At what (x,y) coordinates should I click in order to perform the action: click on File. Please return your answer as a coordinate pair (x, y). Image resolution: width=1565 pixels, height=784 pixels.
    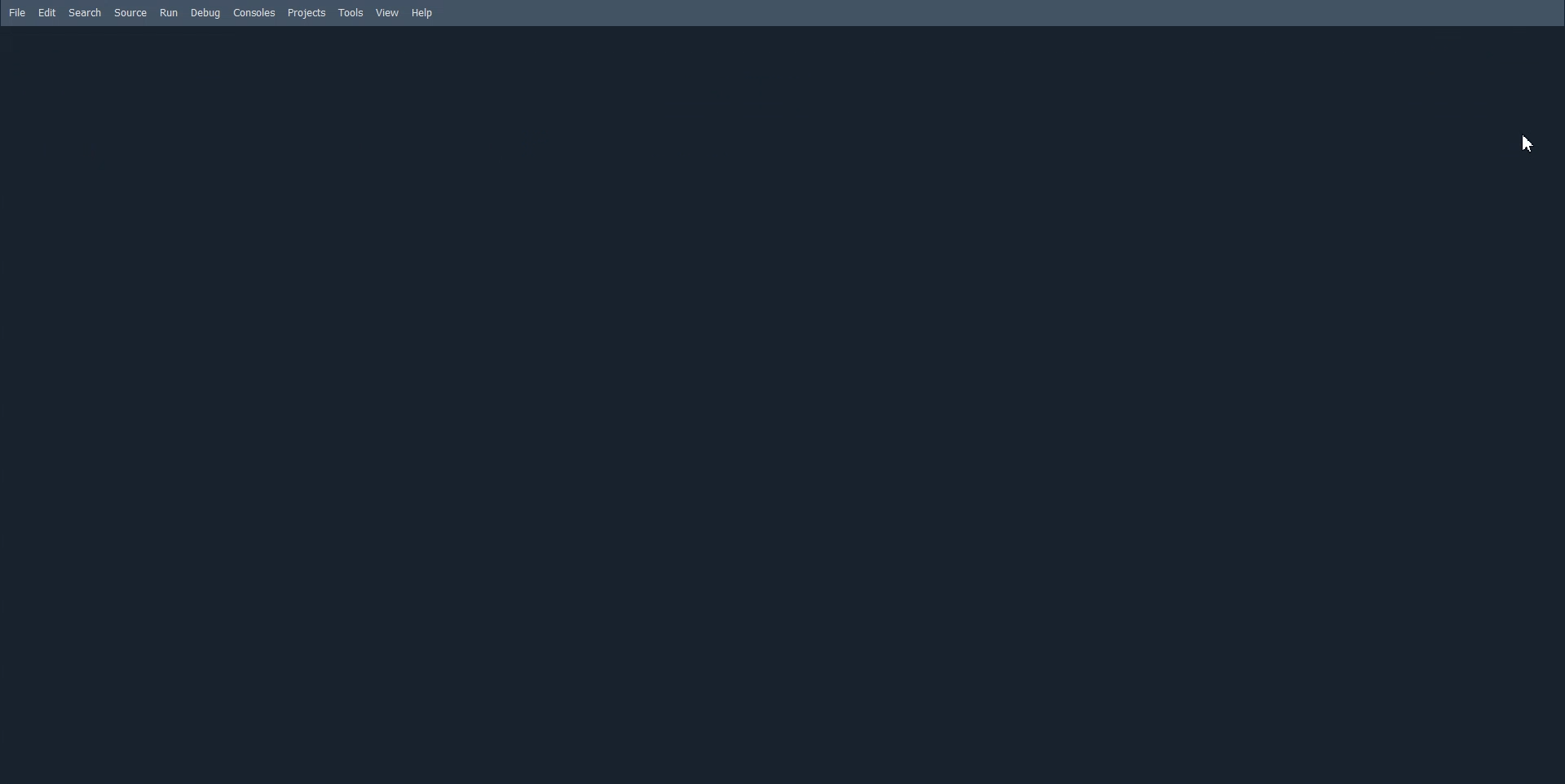
    Looking at the image, I should click on (18, 13).